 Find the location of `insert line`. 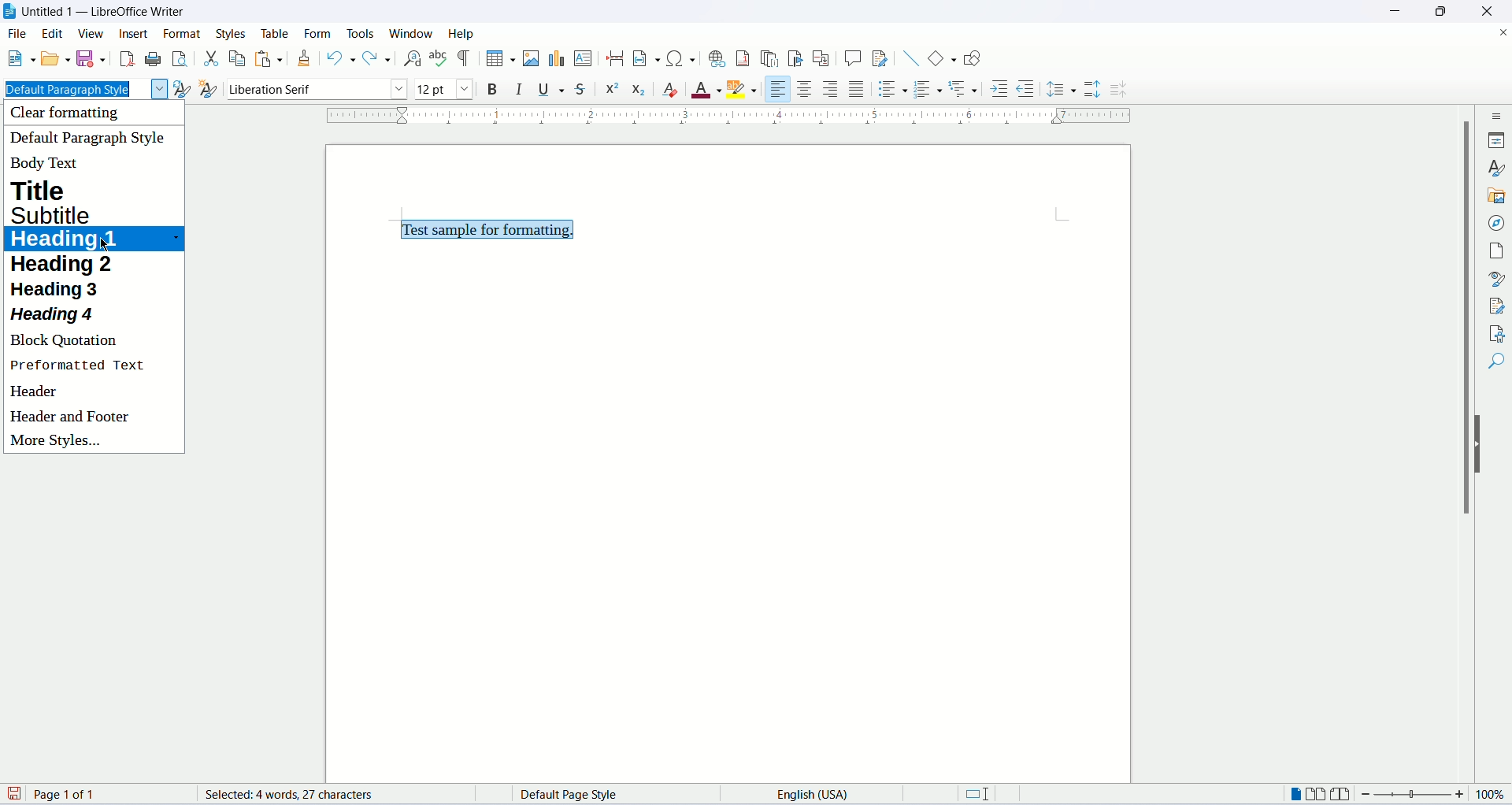

insert line is located at coordinates (909, 57).